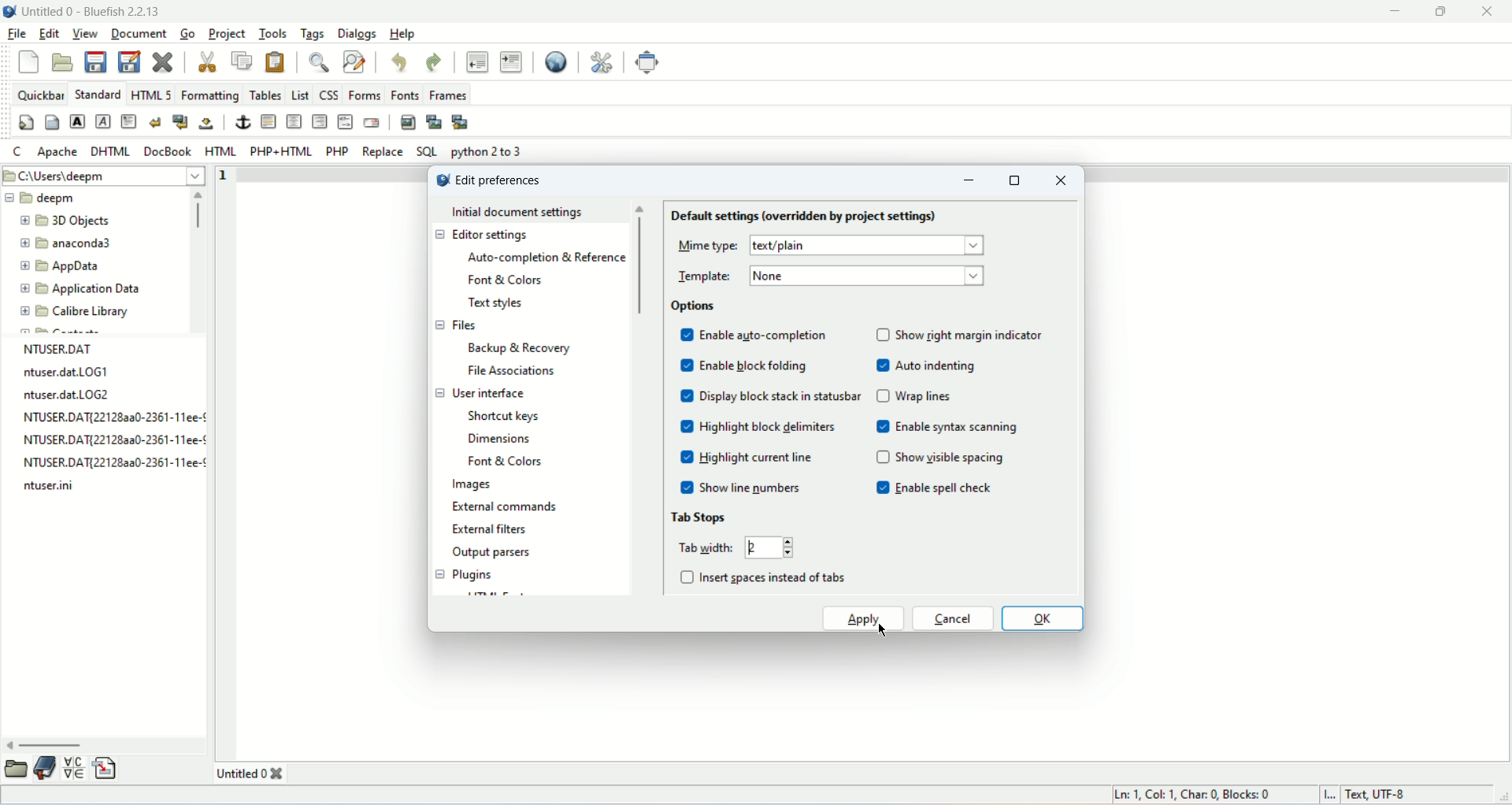 The image size is (1512, 805). What do you see at coordinates (242, 122) in the screenshot?
I see `anchor` at bounding box center [242, 122].